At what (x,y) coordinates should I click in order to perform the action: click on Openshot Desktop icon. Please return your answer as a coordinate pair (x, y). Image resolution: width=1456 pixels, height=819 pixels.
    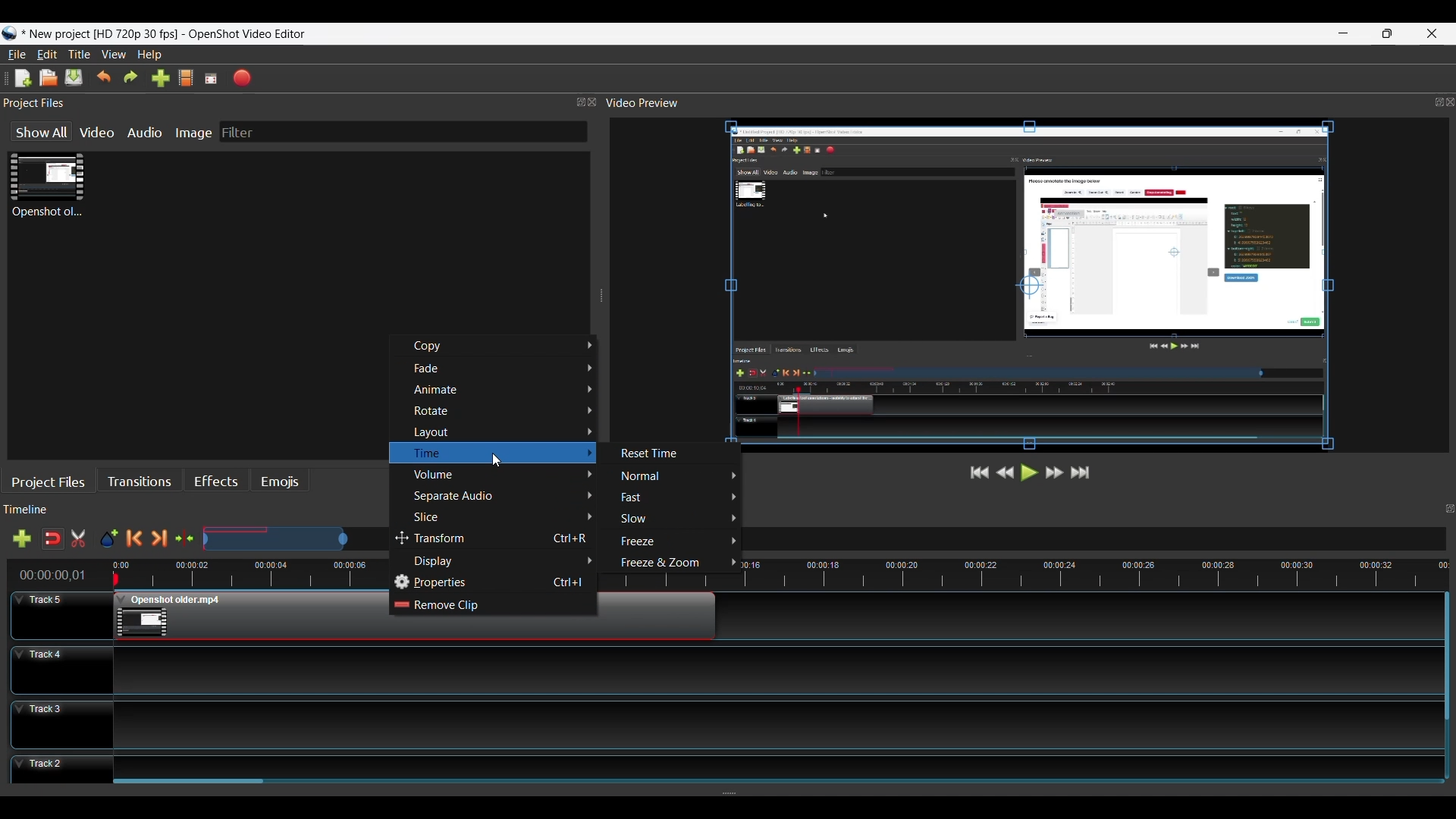
    Looking at the image, I should click on (10, 35).